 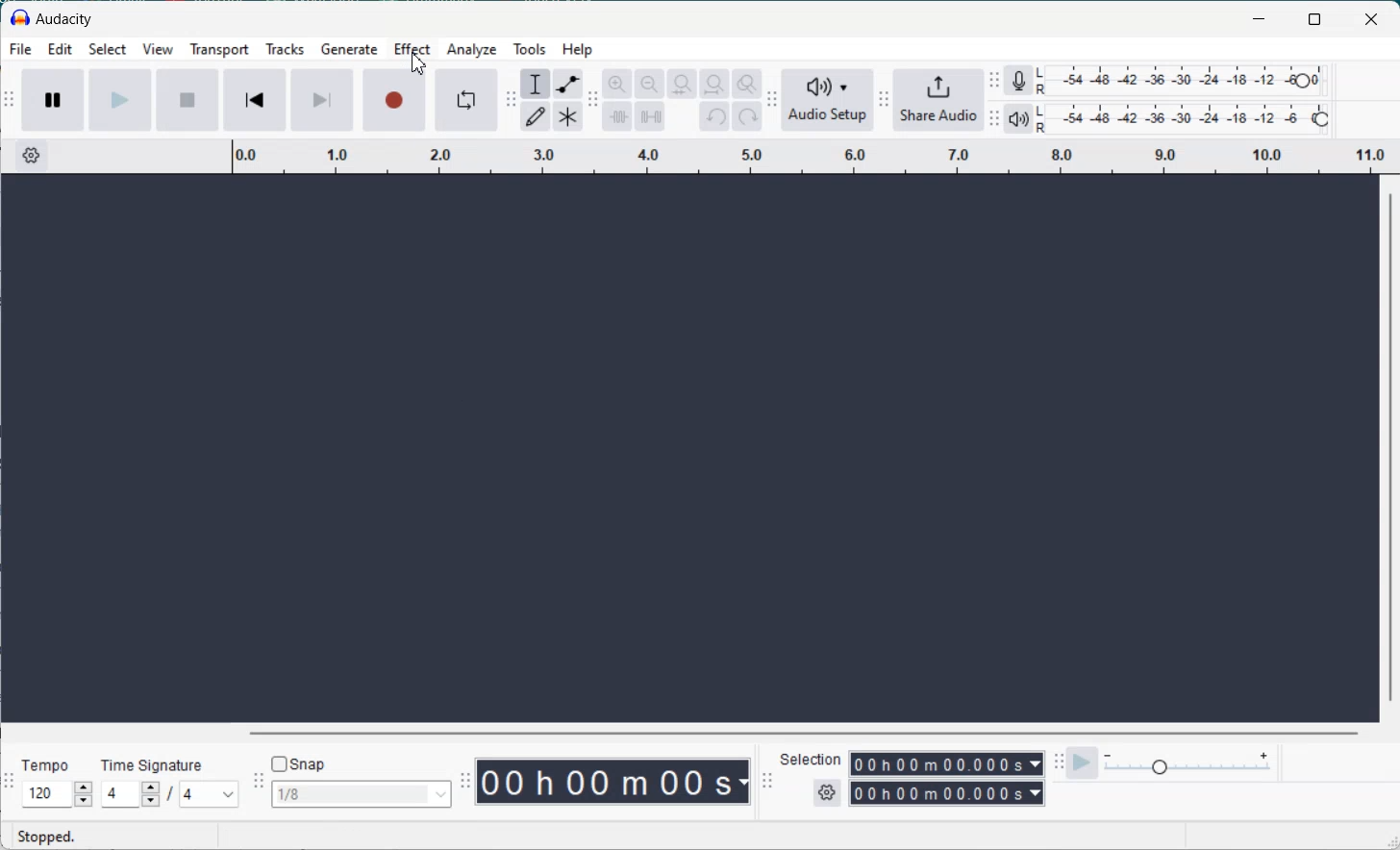 I want to click on Time Signature, so click(x=152, y=762).